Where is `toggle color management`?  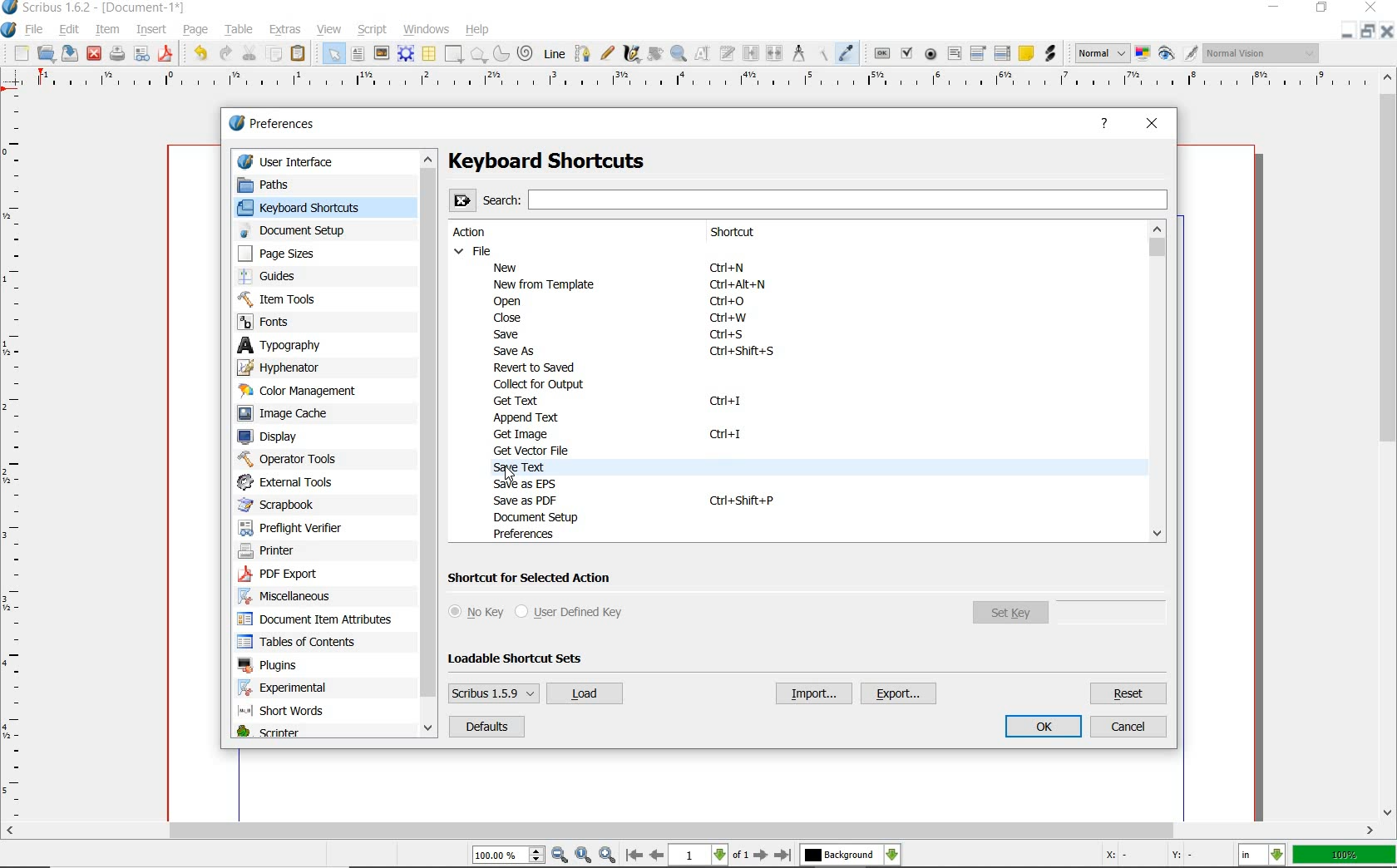
toggle color management is located at coordinates (1142, 55).